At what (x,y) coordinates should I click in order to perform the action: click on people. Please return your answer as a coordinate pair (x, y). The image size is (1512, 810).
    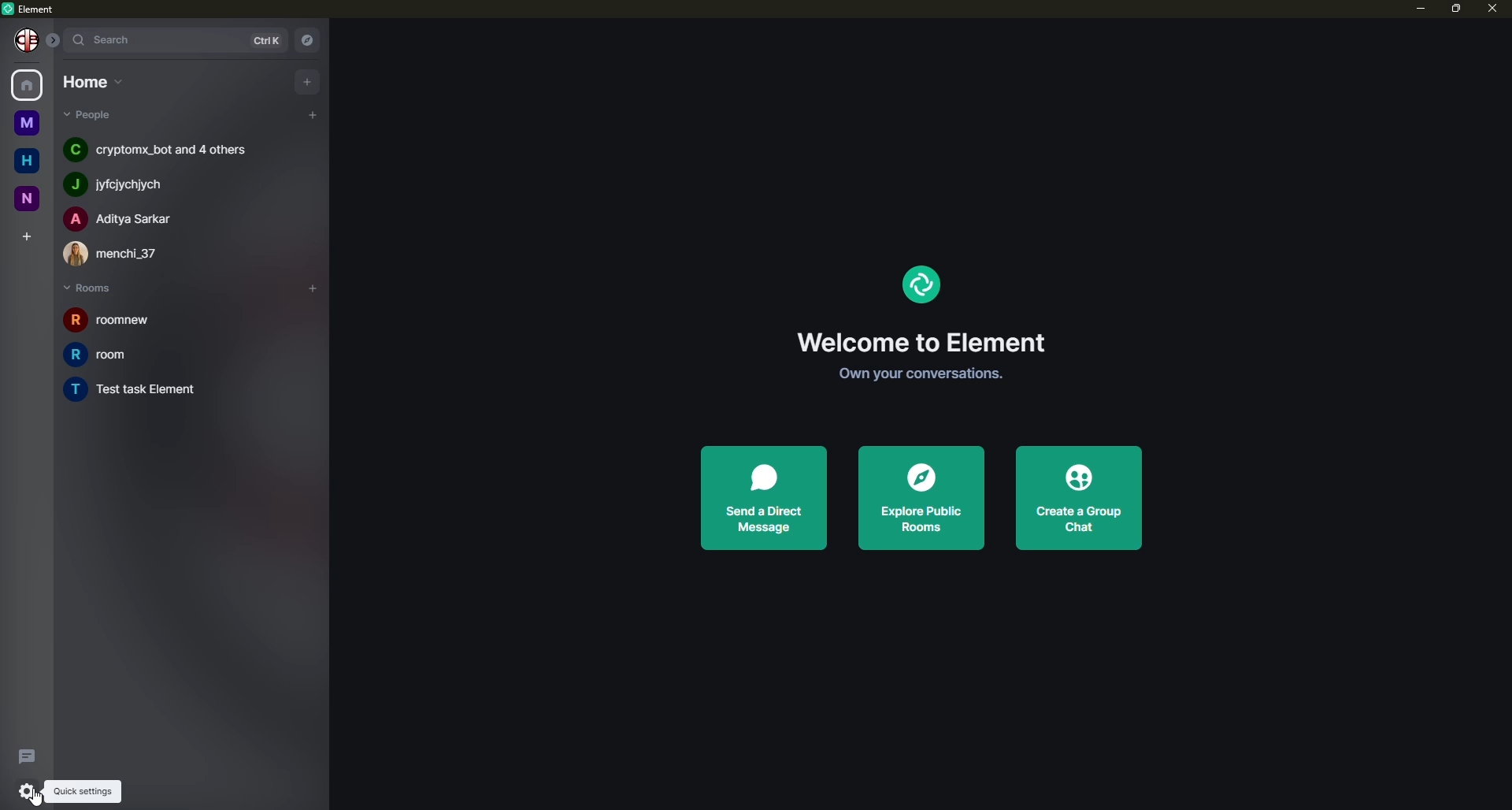
    Looking at the image, I should click on (124, 218).